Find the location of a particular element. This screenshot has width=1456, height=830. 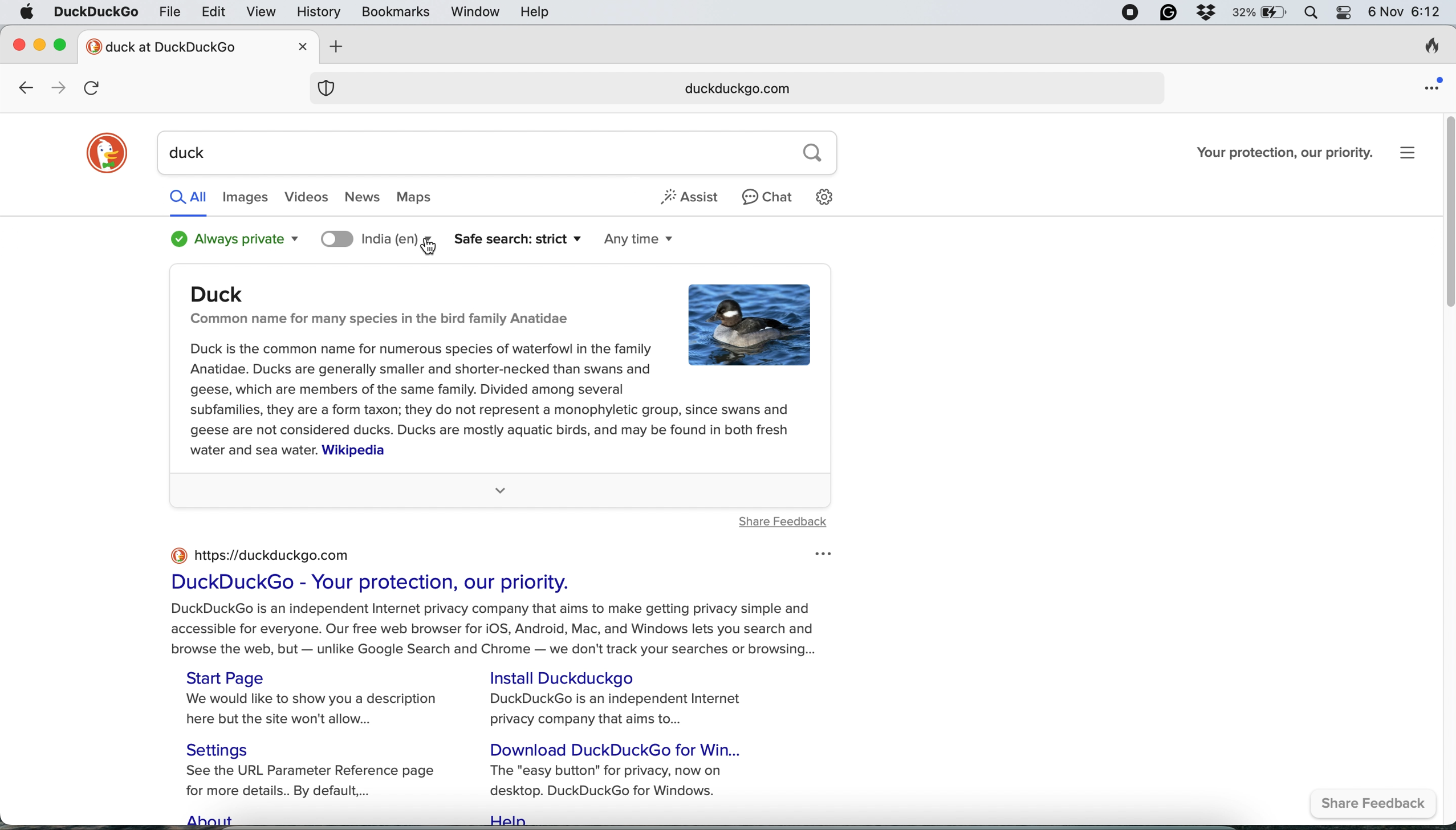

bookmarks is located at coordinates (396, 13).